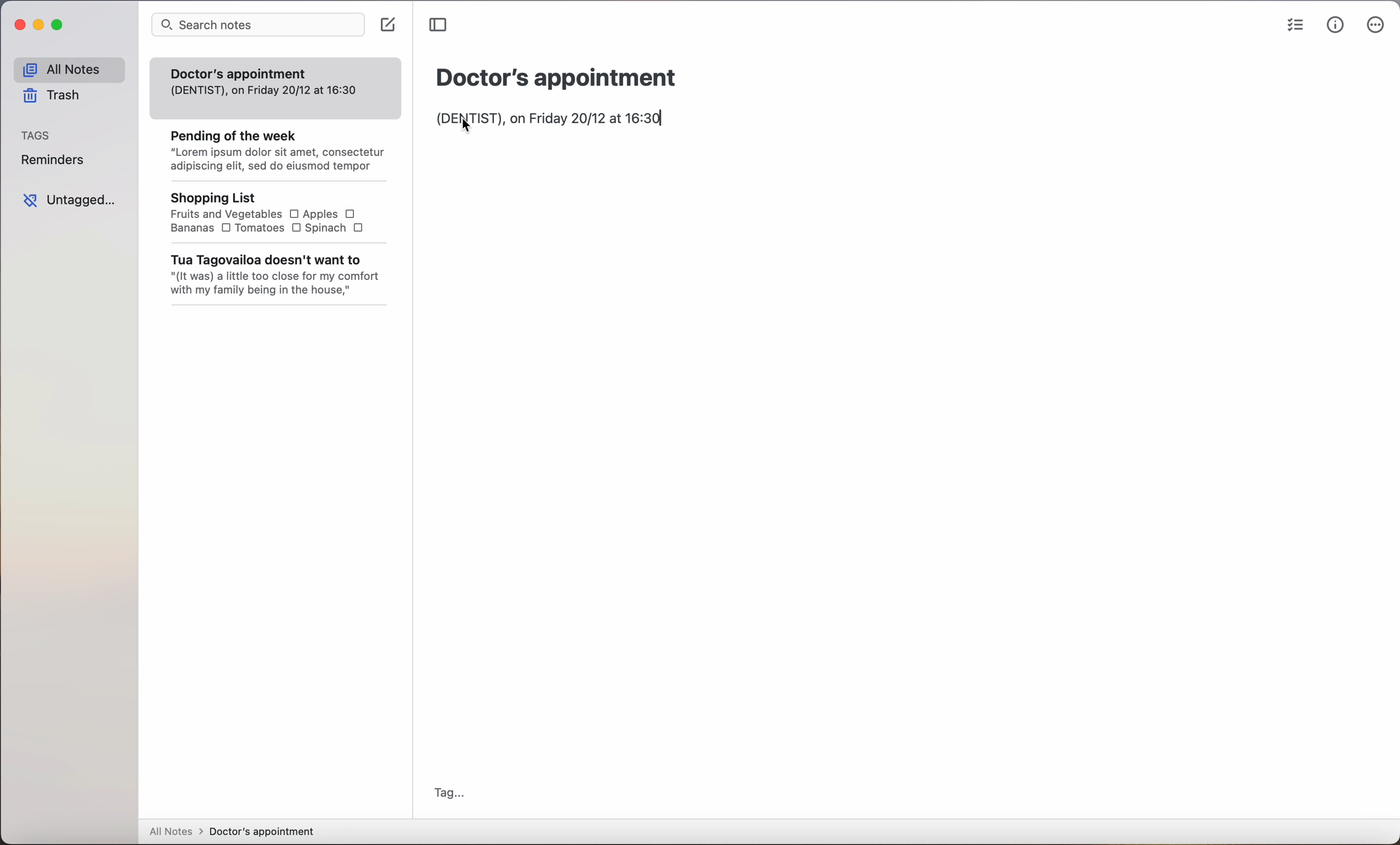  What do you see at coordinates (556, 77) in the screenshot?
I see `Doctor's appointment` at bounding box center [556, 77].